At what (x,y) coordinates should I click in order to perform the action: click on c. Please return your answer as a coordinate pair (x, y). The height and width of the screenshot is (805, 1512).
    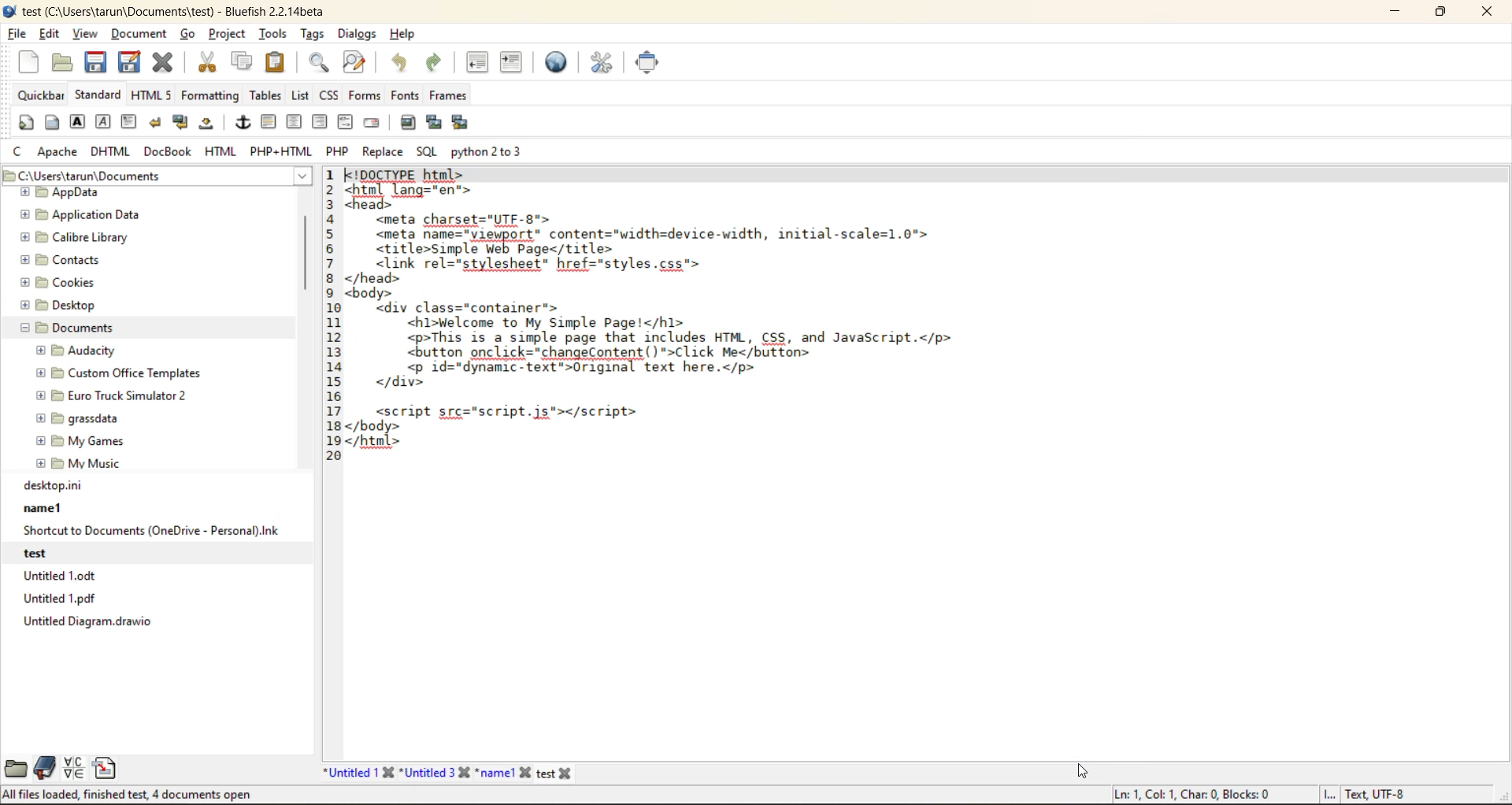
    Looking at the image, I should click on (20, 154).